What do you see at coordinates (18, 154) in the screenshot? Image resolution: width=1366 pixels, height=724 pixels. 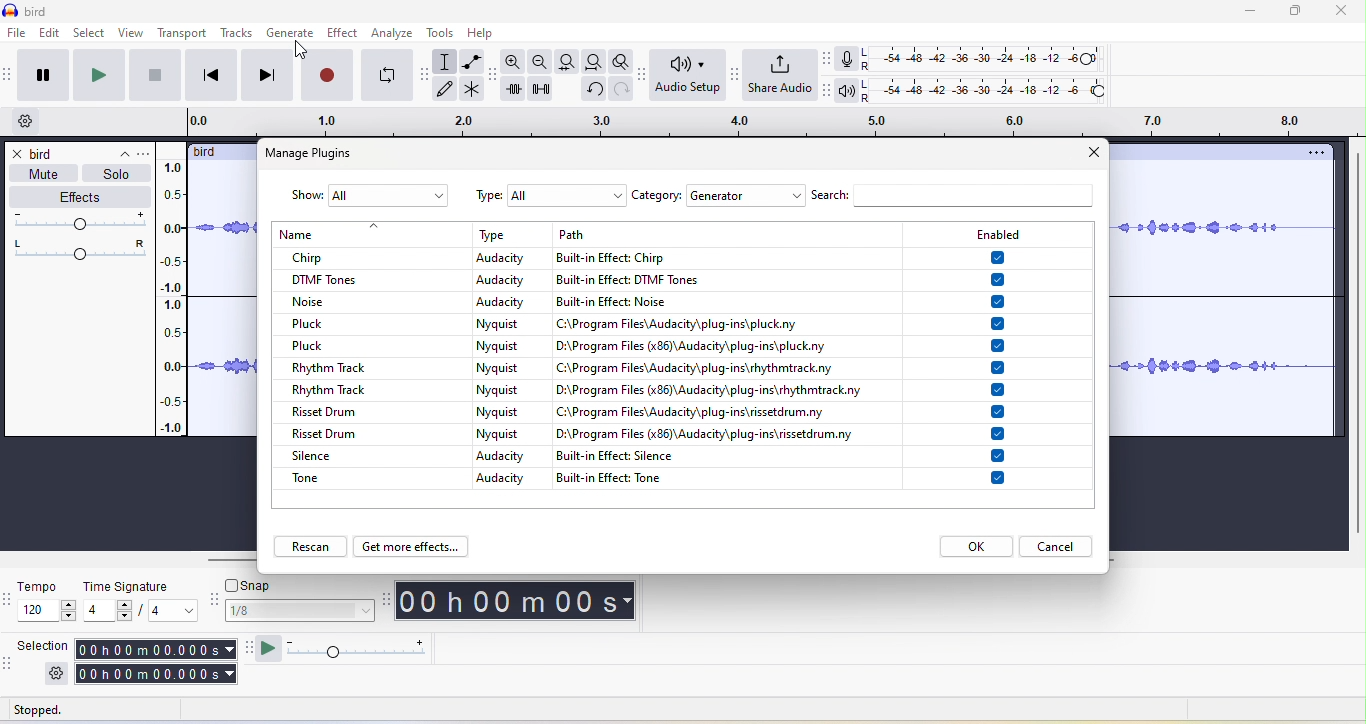 I see `close` at bounding box center [18, 154].